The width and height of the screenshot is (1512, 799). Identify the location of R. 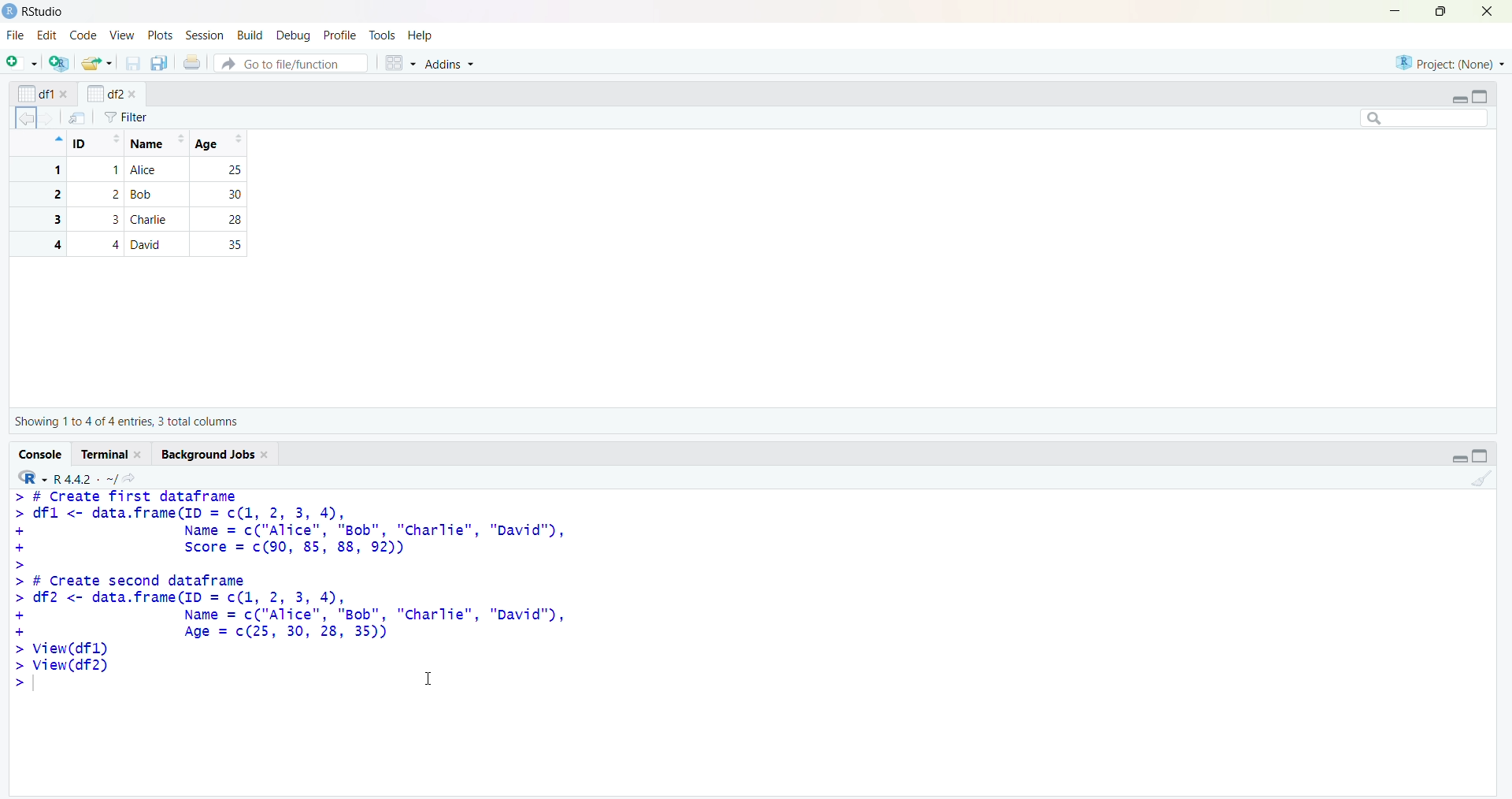
(32, 478).